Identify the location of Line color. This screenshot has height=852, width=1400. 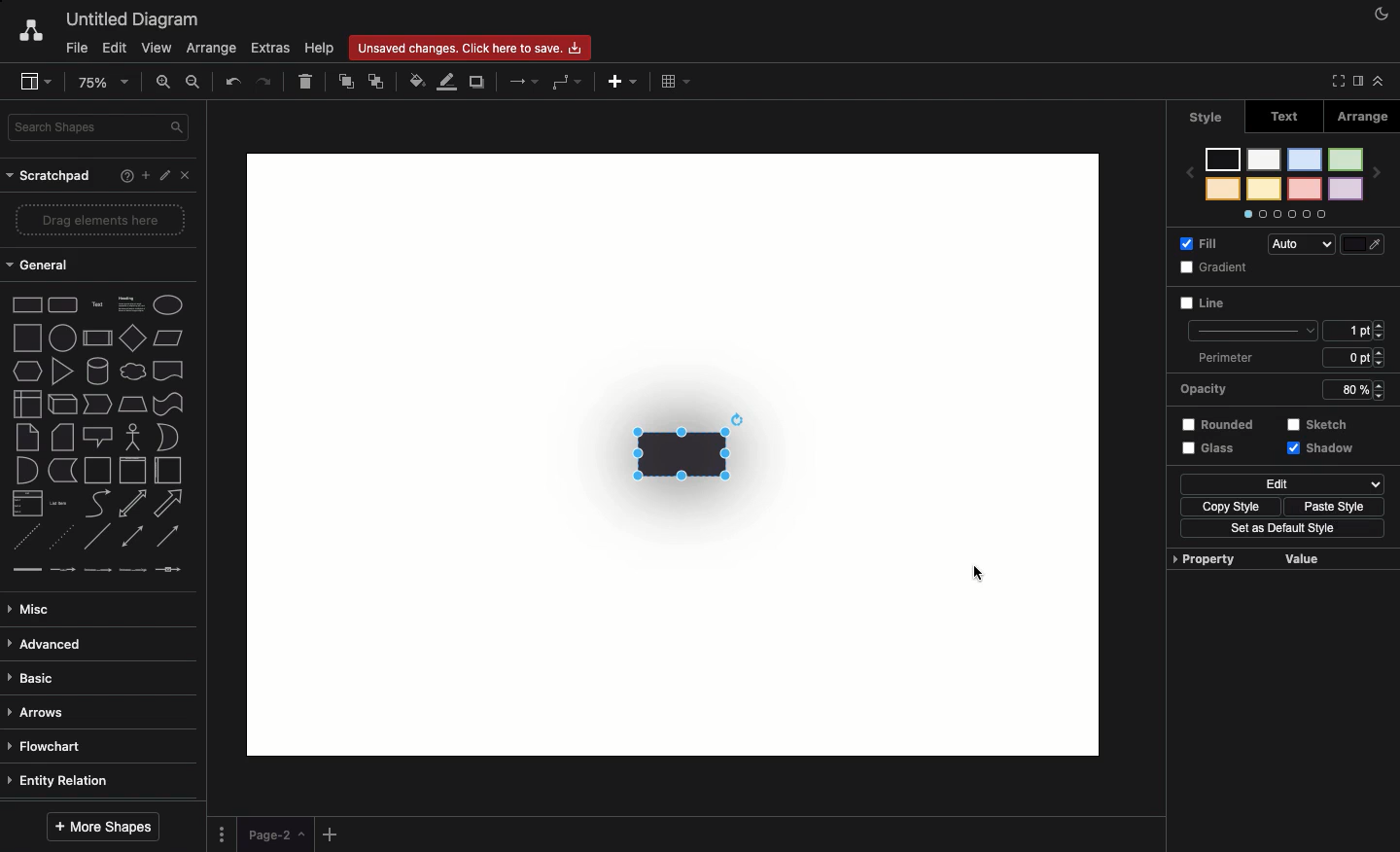
(446, 83).